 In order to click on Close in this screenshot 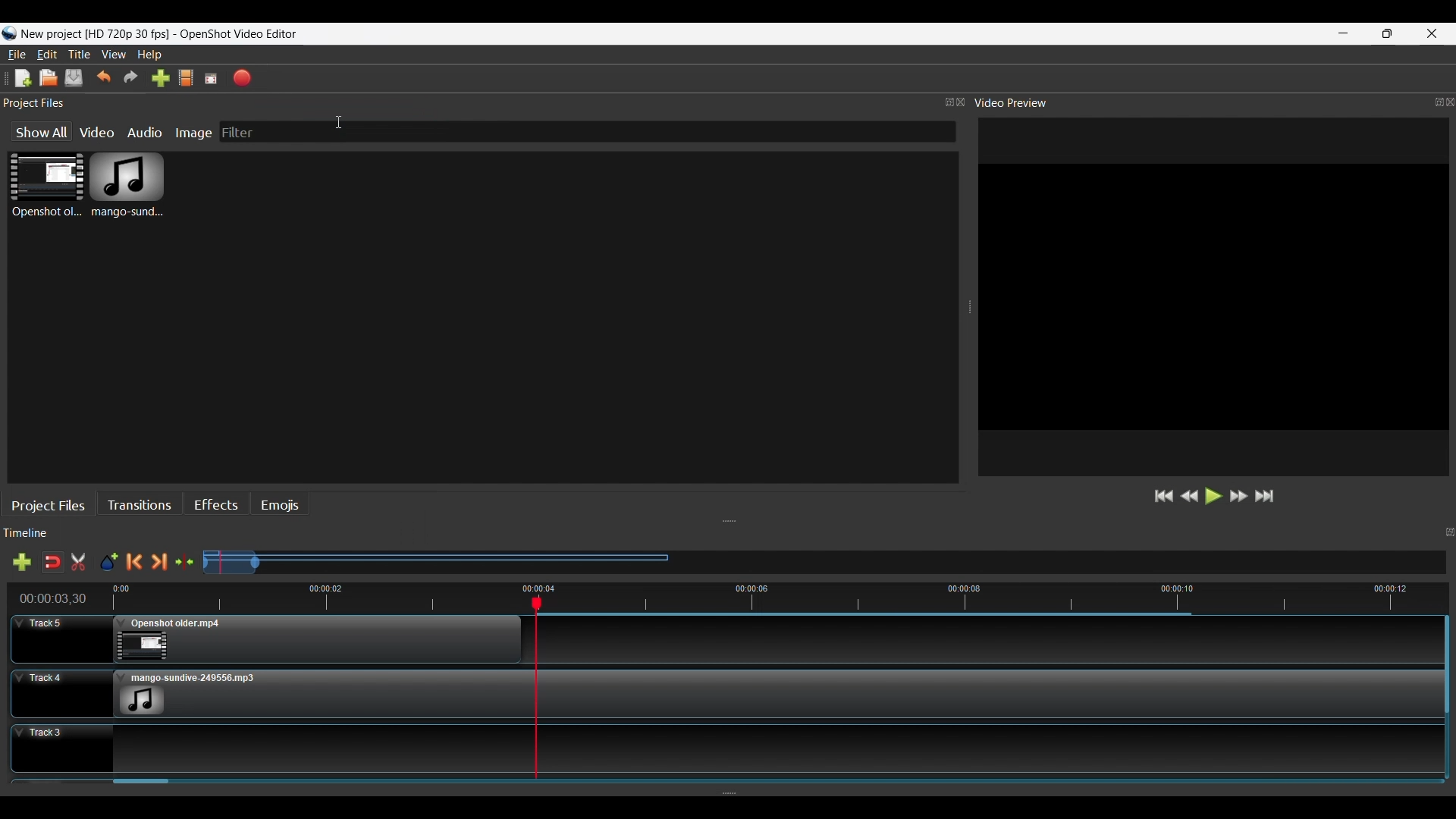, I will do `click(962, 102)`.